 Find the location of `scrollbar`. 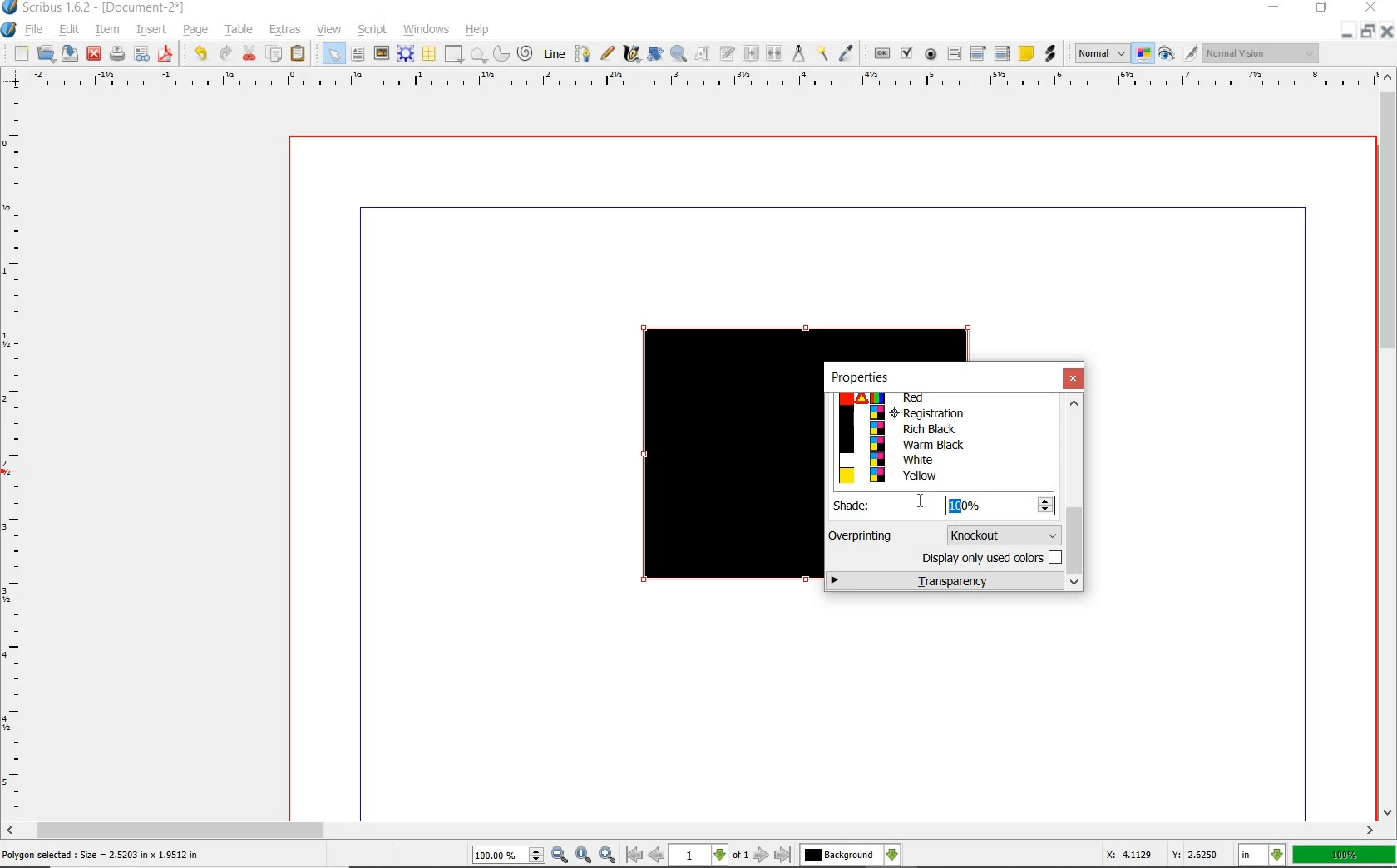

scrollbar is located at coordinates (1387, 445).